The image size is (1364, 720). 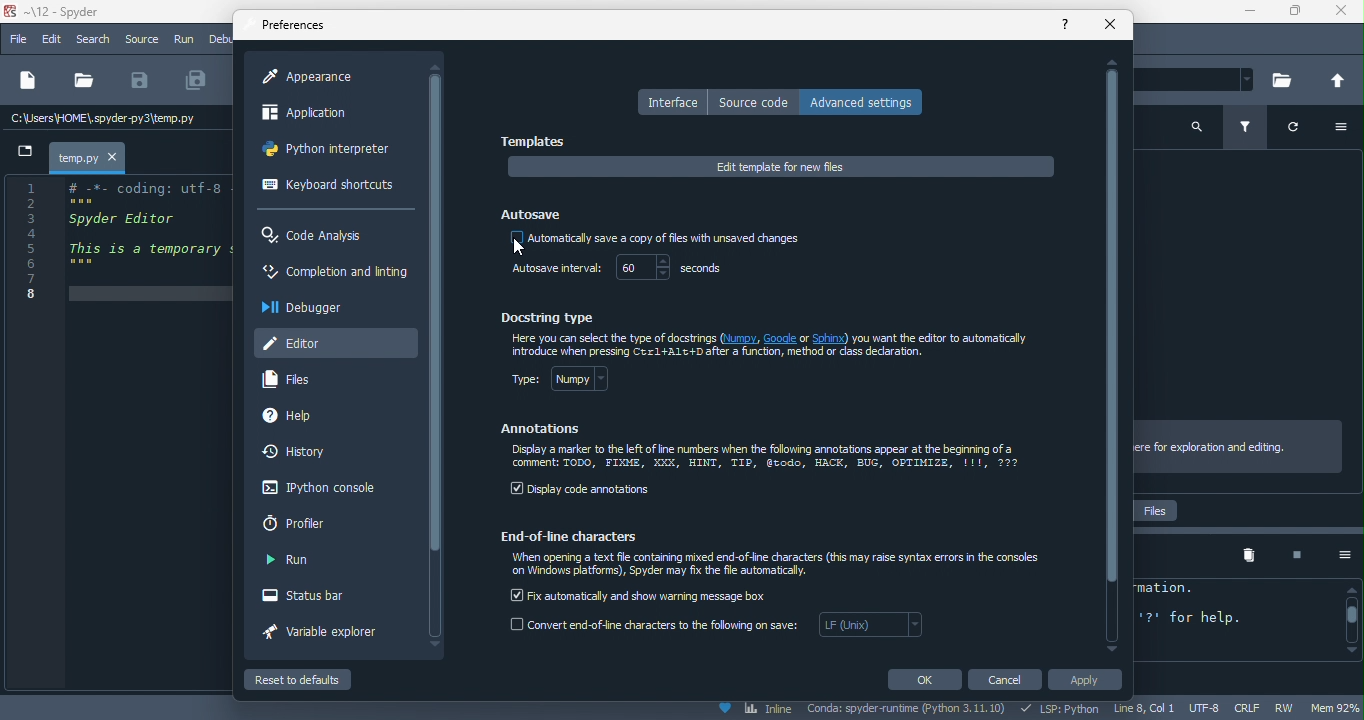 What do you see at coordinates (18, 40) in the screenshot?
I see `file` at bounding box center [18, 40].